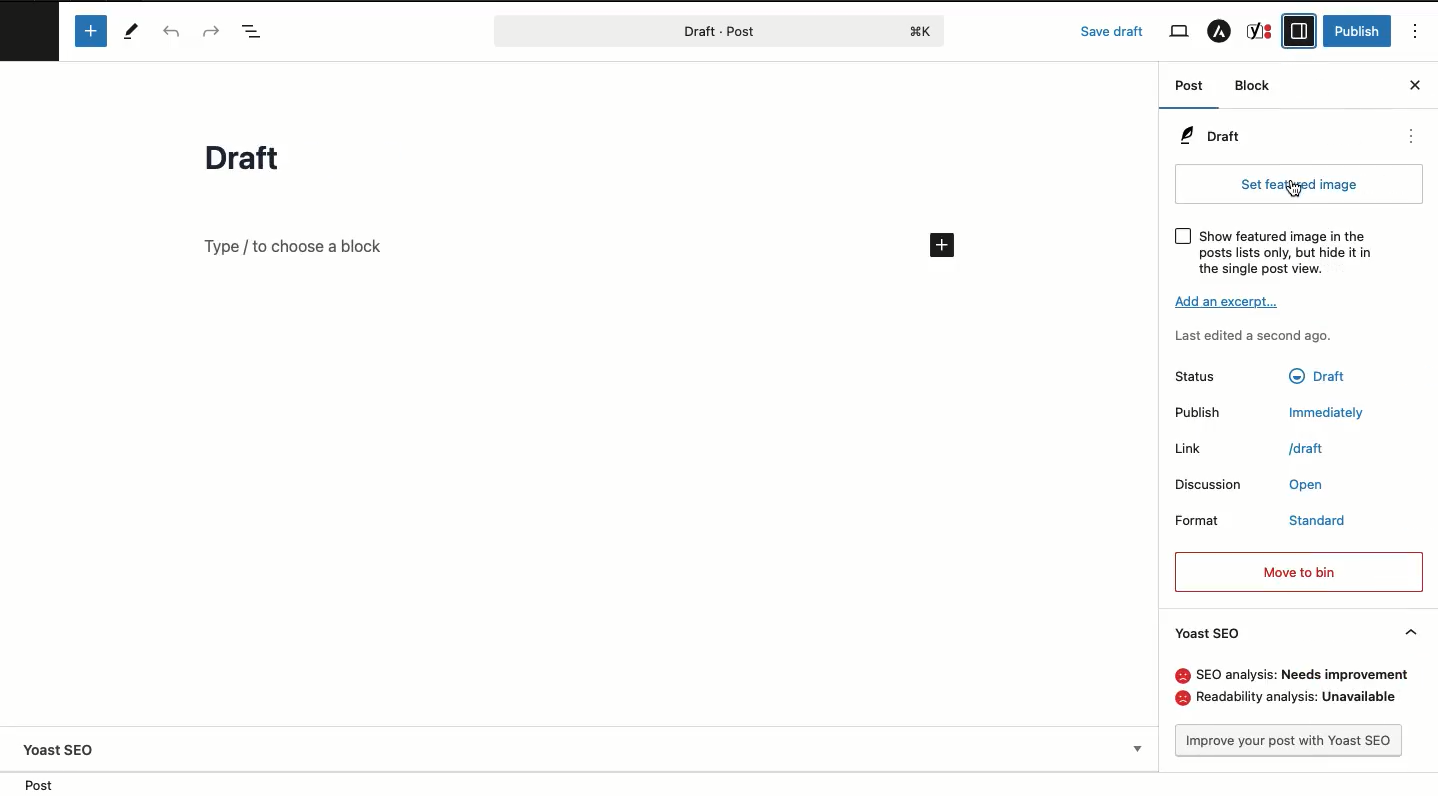 The height and width of the screenshot is (796, 1438). Describe the element at coordinates (1297, 698) in the screenshot. I see `text` at that location.